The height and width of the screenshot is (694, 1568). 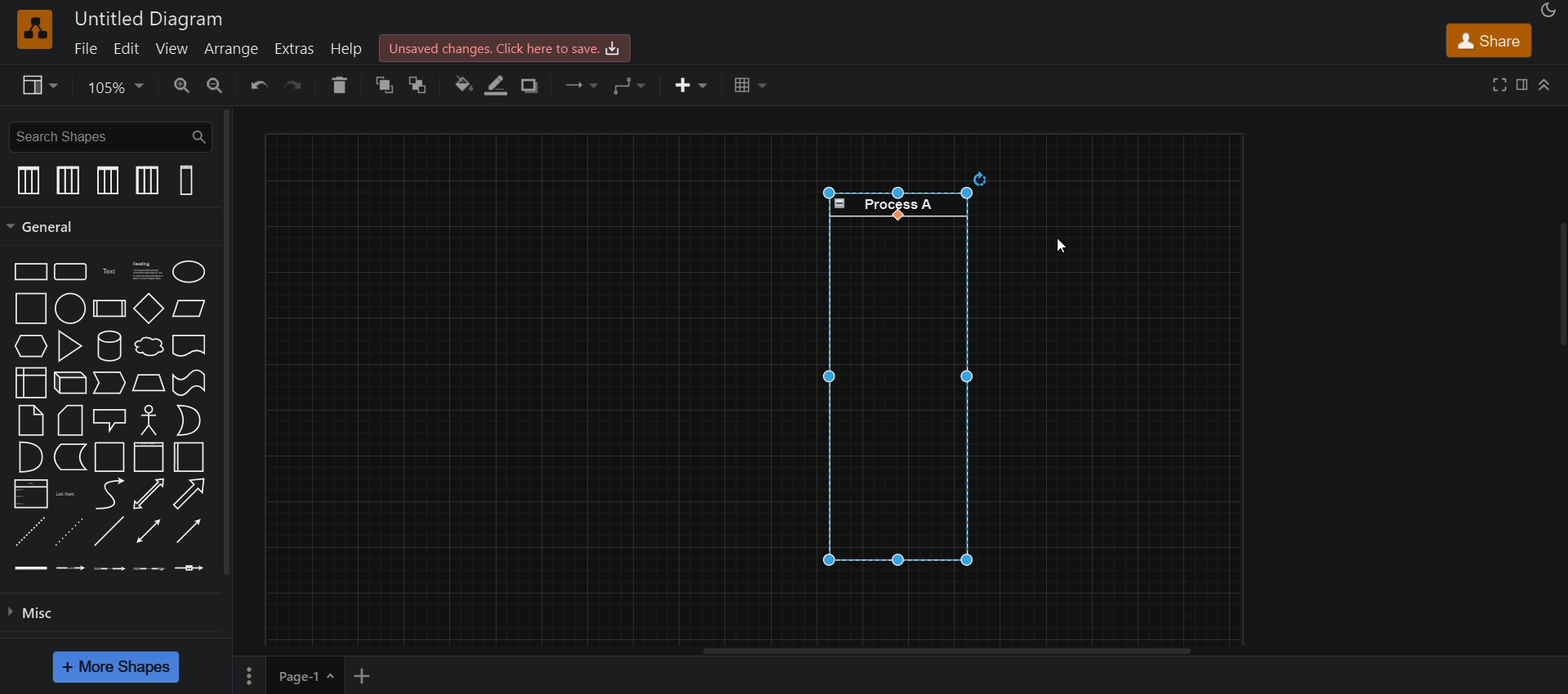 I want to click on help, so click(x=348, y=46).